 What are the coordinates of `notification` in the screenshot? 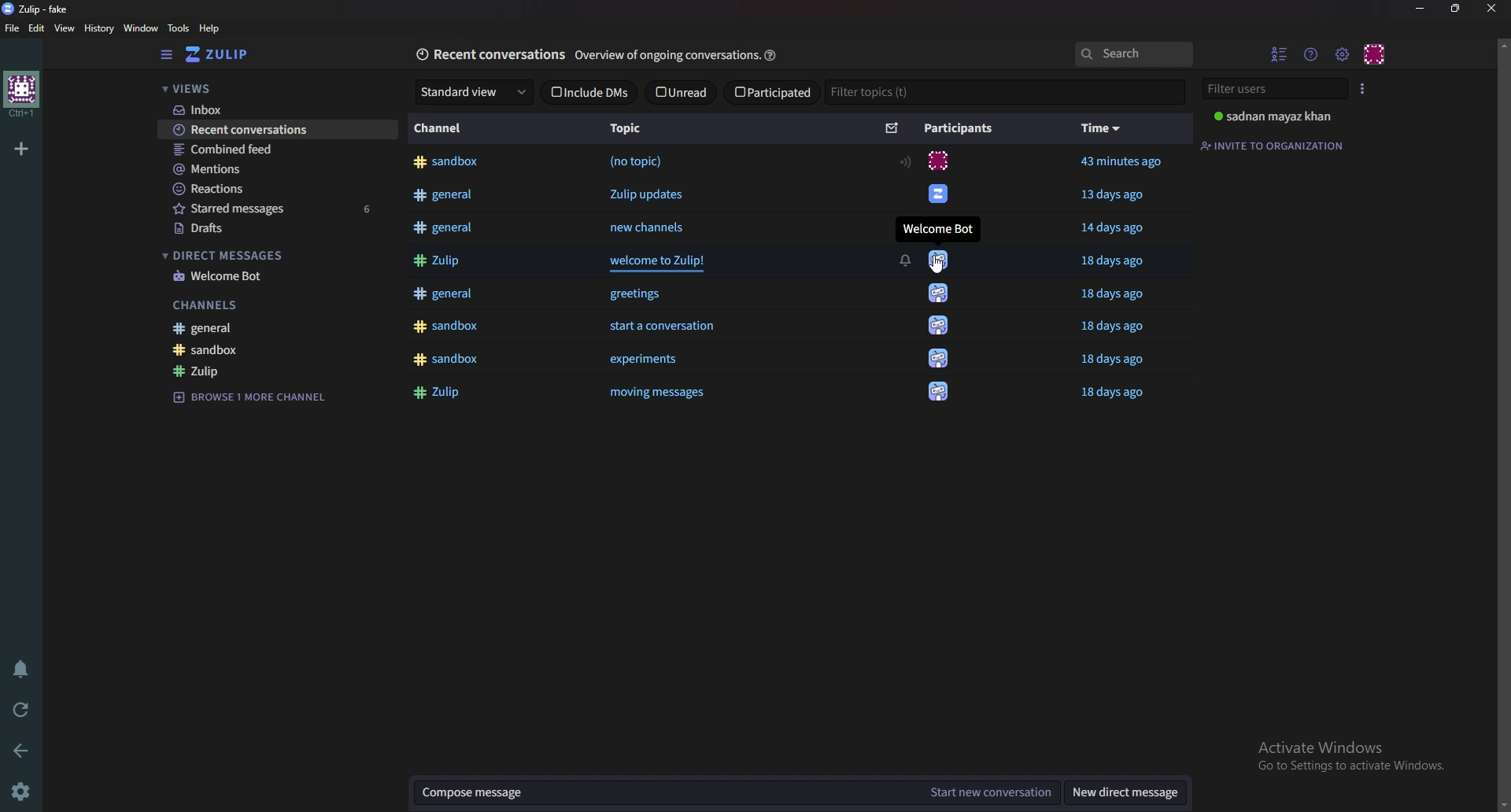 It's located at (900, 260).